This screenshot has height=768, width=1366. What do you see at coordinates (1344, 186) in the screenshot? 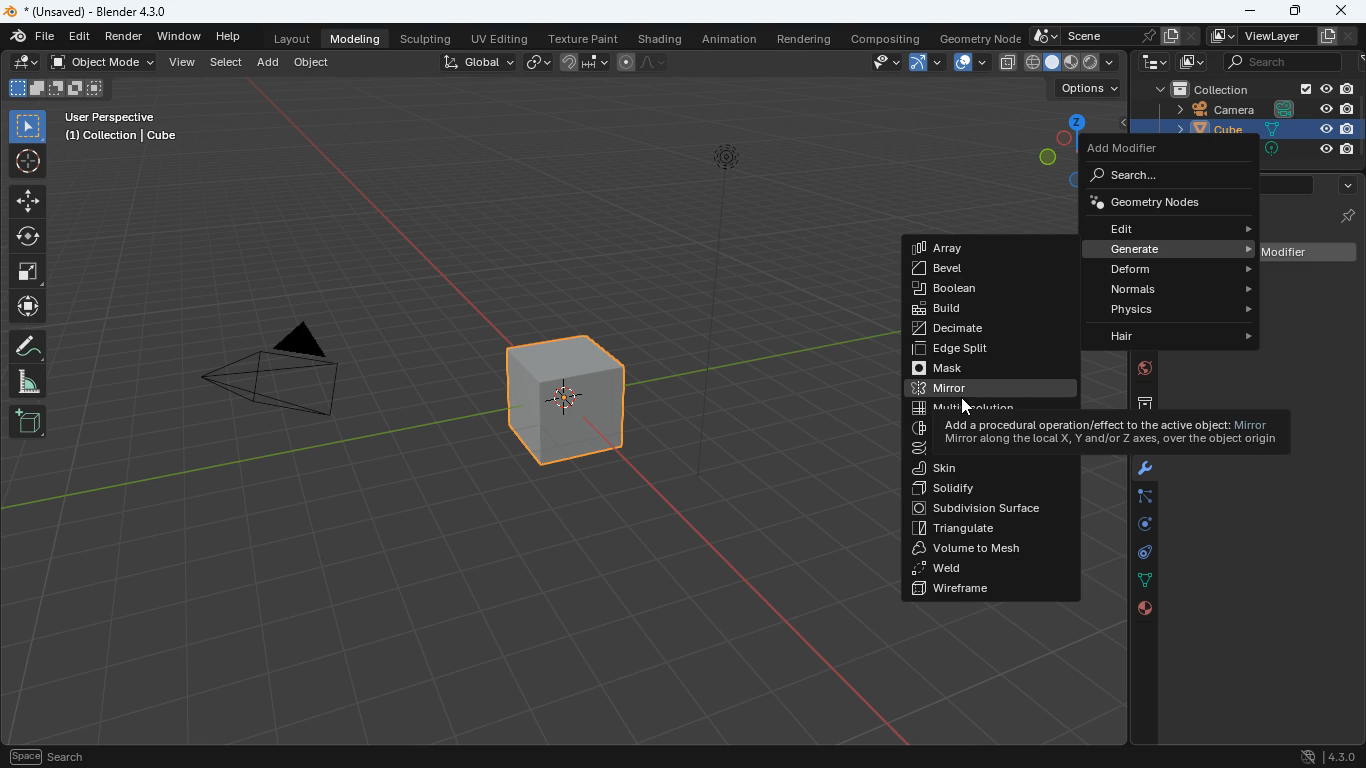
I see `more` at bounding box center [1344, 186].